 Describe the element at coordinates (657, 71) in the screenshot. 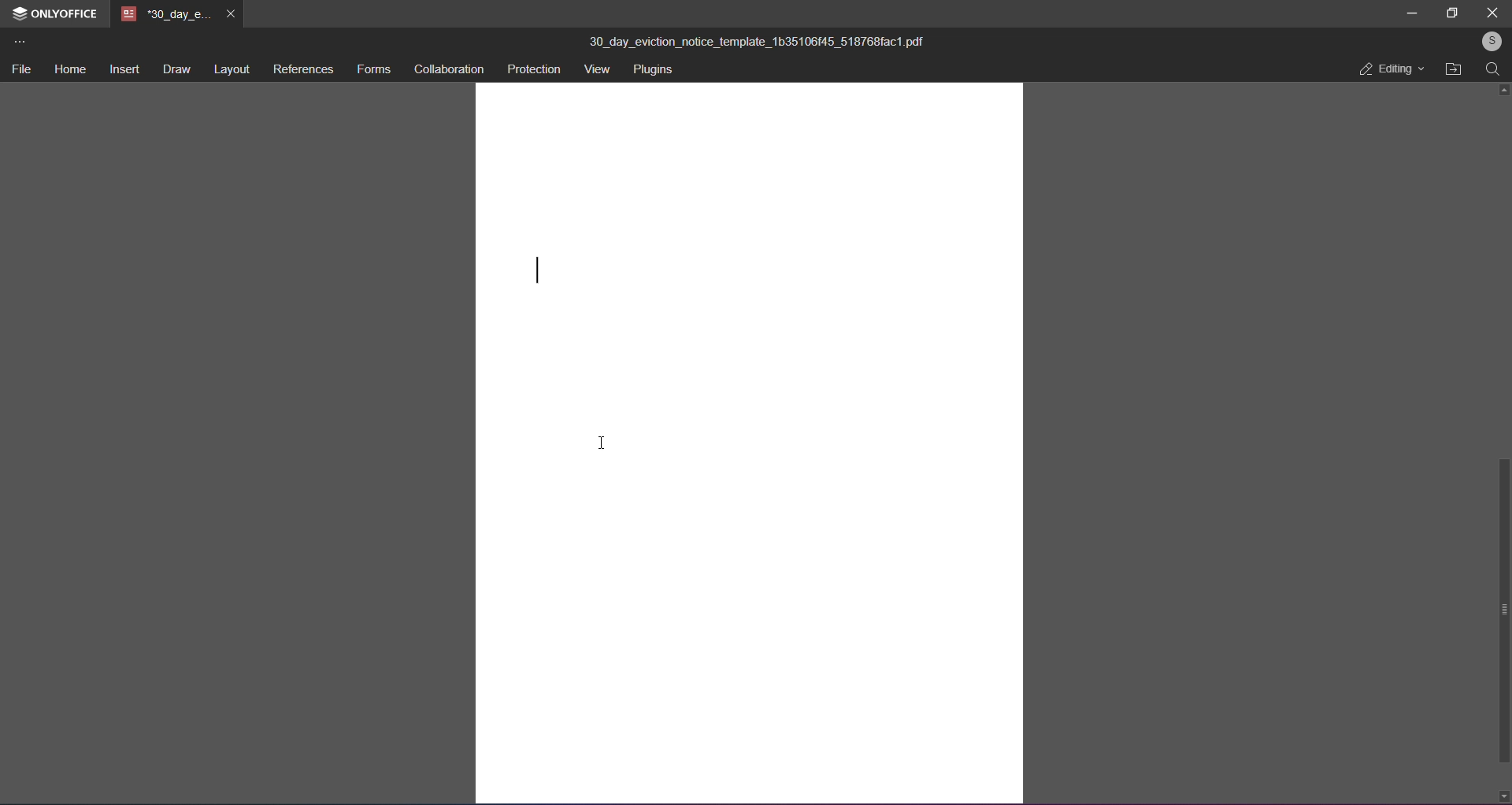

I see `plugins` at that location.